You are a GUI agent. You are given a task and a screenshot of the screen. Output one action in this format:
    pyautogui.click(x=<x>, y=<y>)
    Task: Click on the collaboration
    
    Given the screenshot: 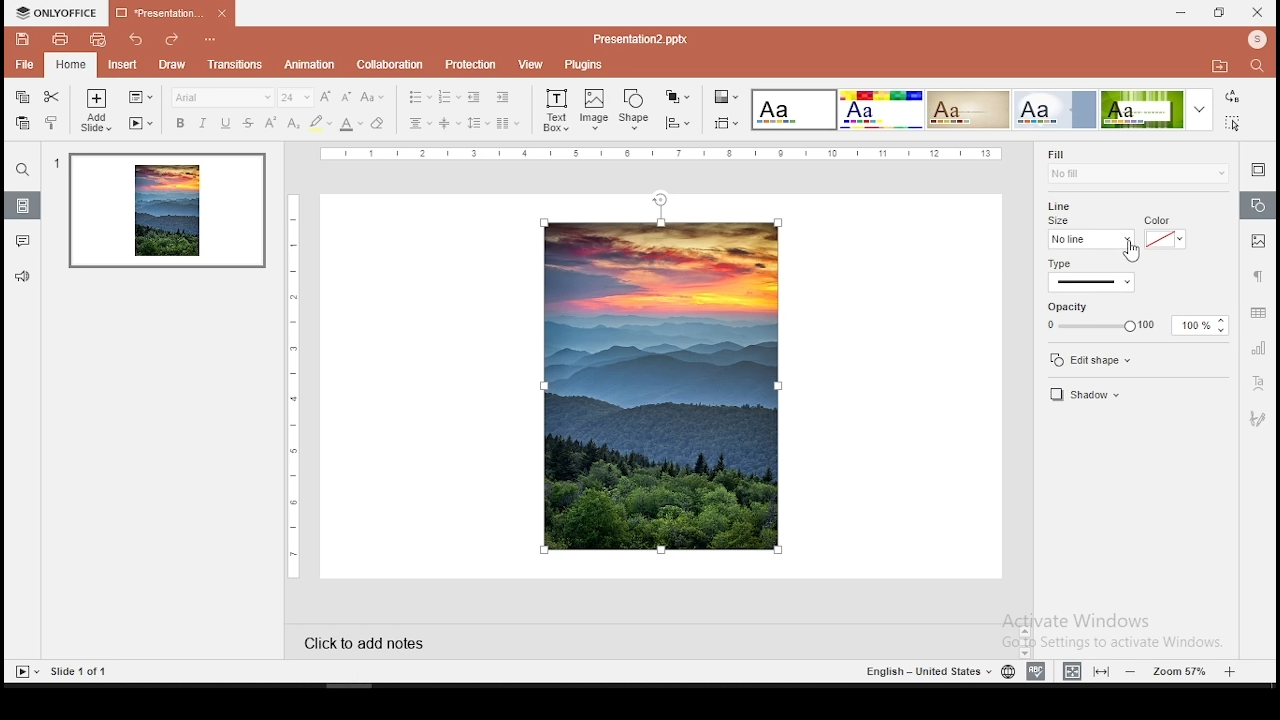 What is the action you would take?
    pyautogui.click(x=393, y=65)
    